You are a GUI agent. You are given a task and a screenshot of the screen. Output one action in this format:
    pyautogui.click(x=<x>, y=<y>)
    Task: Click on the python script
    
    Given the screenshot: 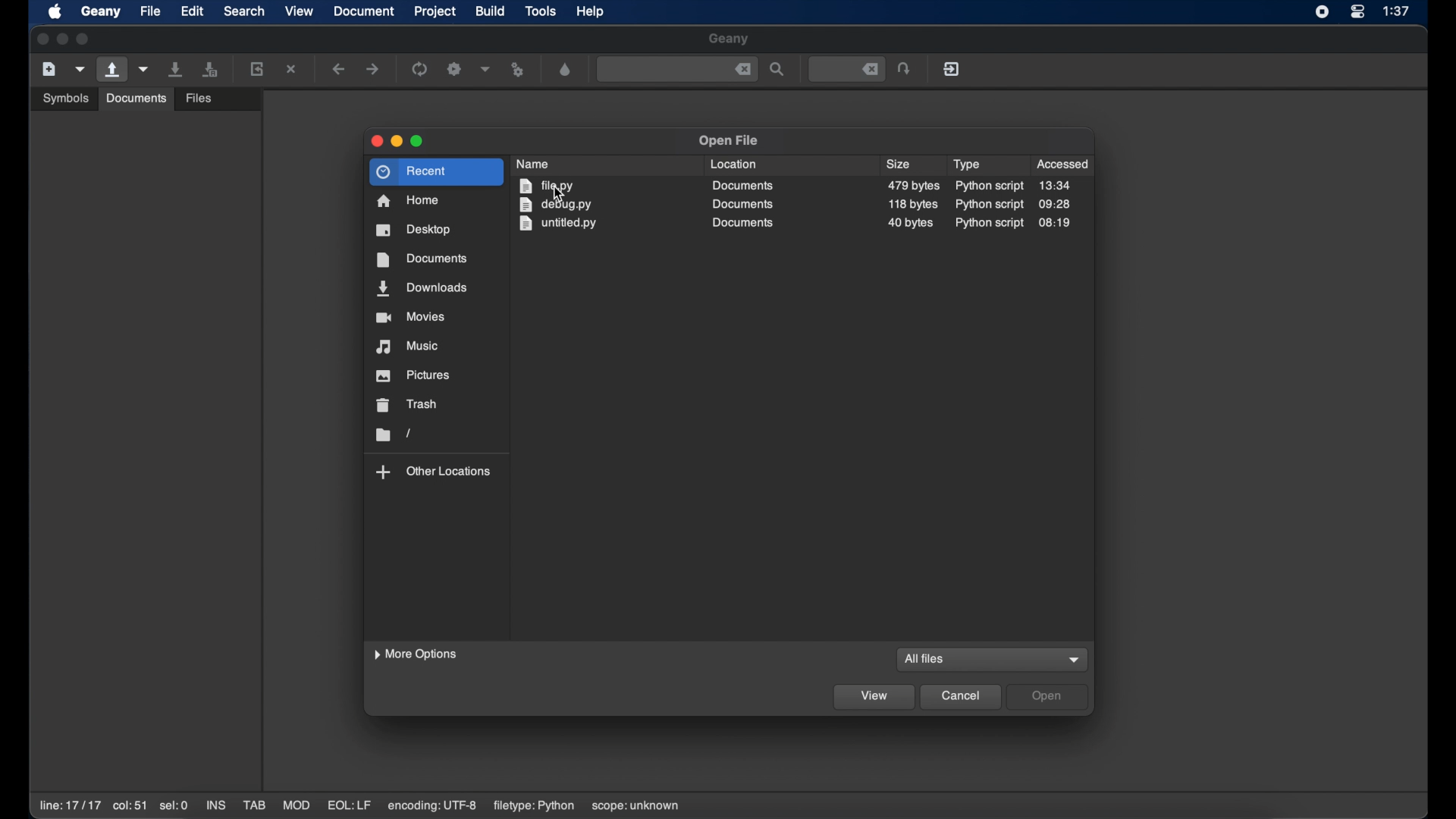 What is the action you would take?
    pyautogui.click(x=990, y=224)
    